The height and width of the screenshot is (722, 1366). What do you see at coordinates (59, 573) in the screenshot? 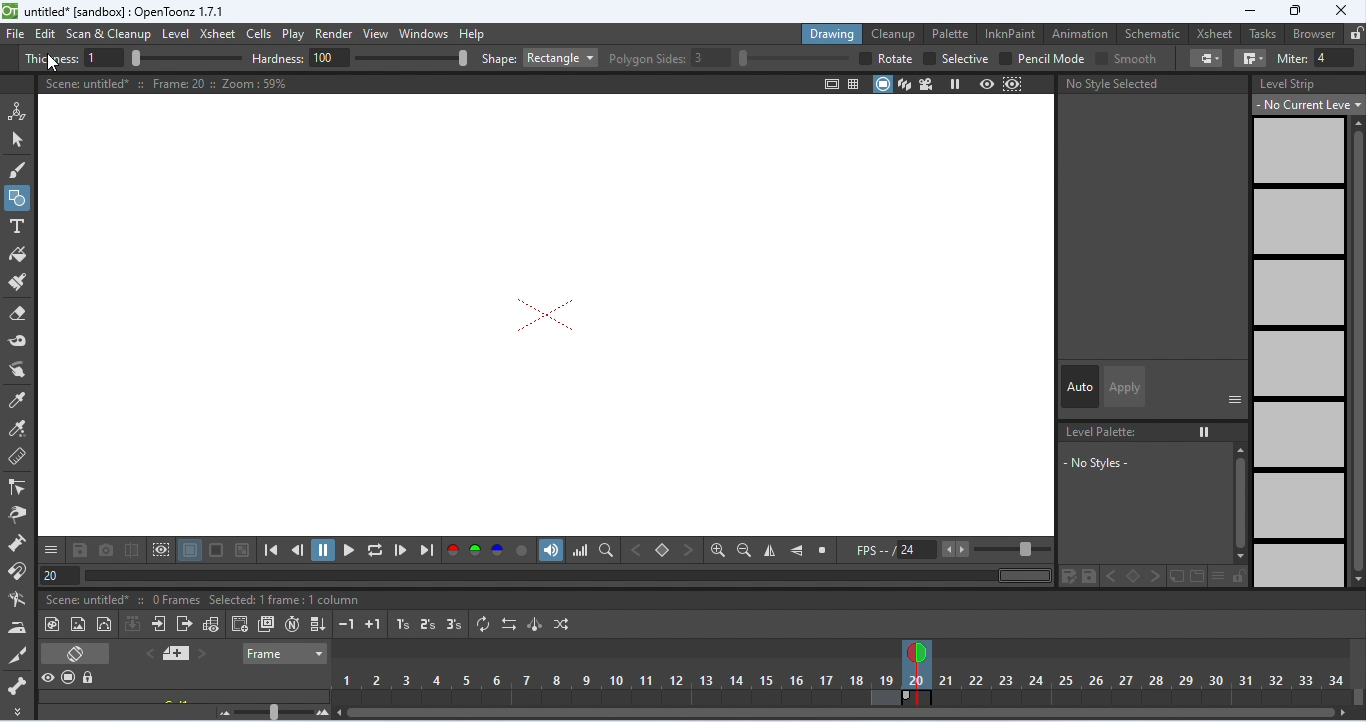
I see `frame` at bounding box center [59, 573].